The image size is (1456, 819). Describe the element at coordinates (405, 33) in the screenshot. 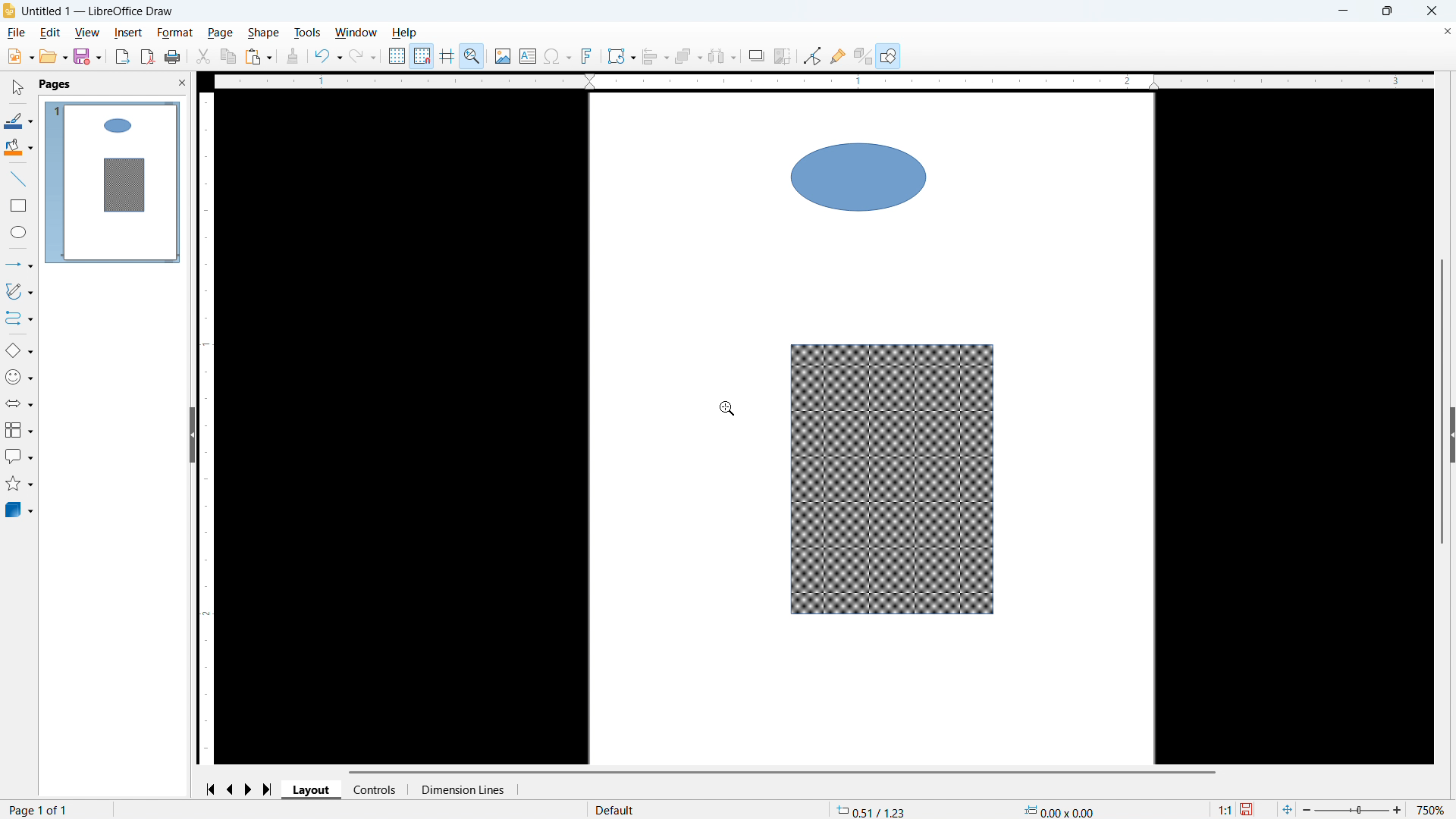

I see `Help ` at that location.